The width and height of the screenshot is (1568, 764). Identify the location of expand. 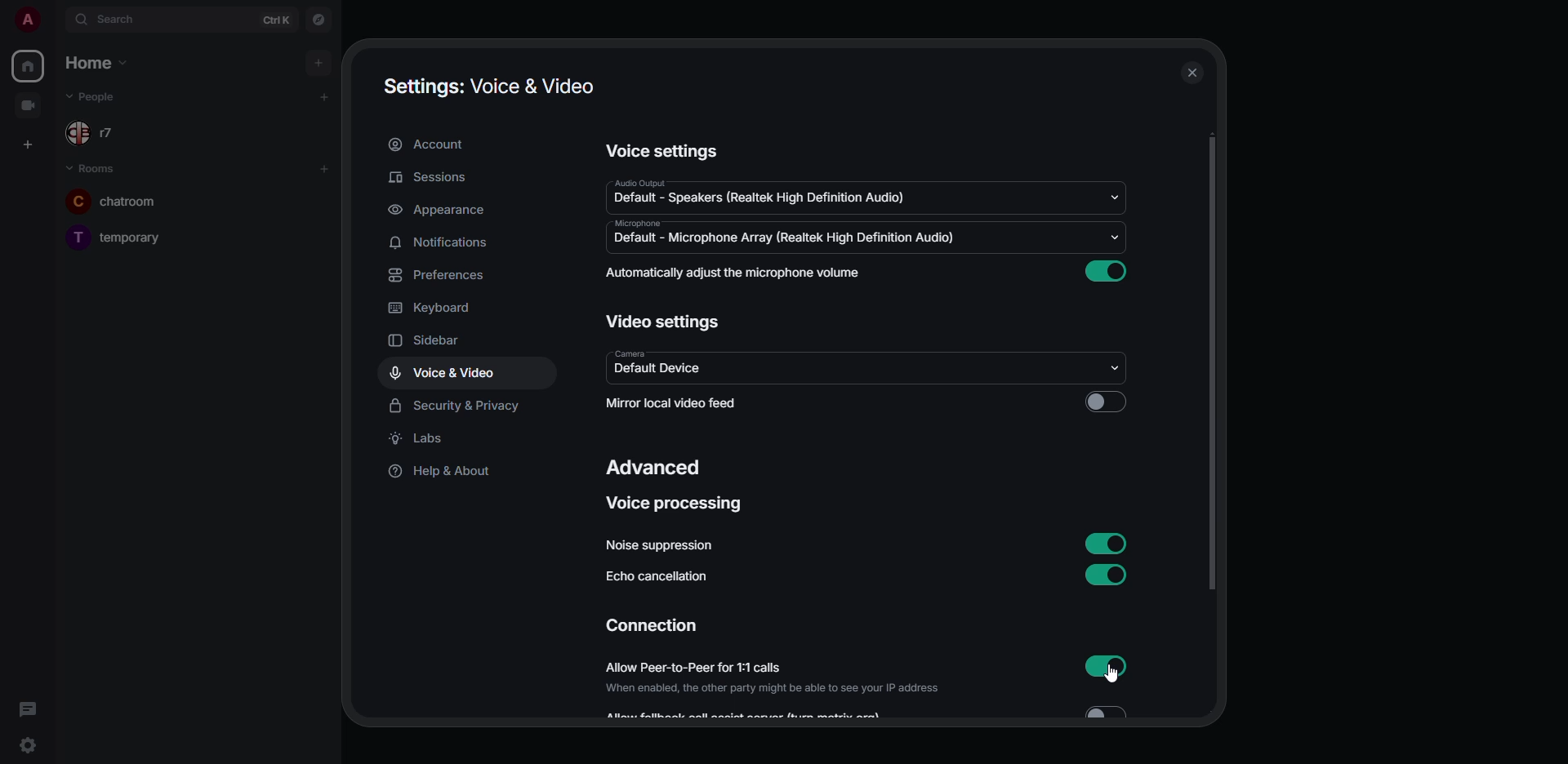
(57, 19).